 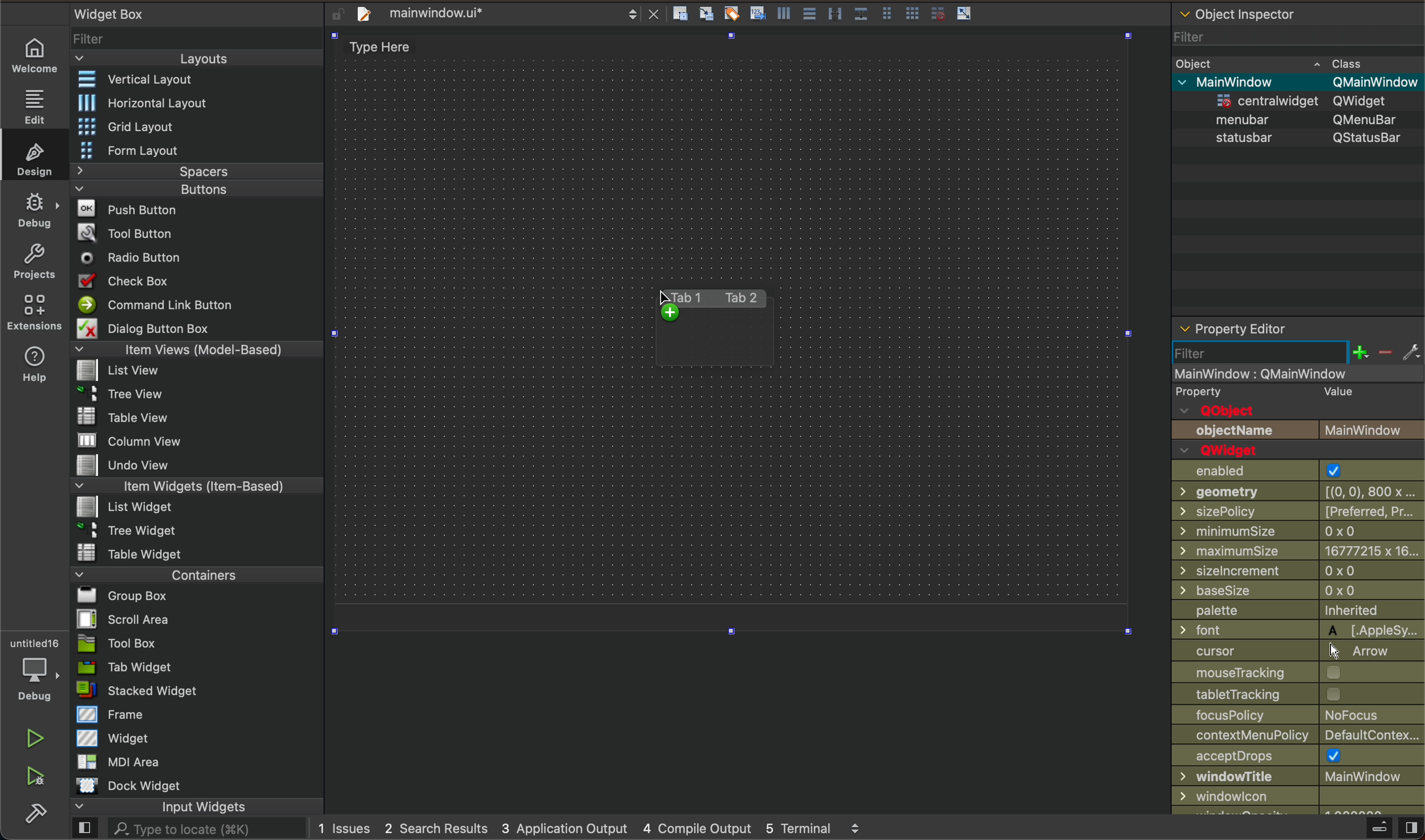 I want to click on Layouts, so click(x=198, y=58).